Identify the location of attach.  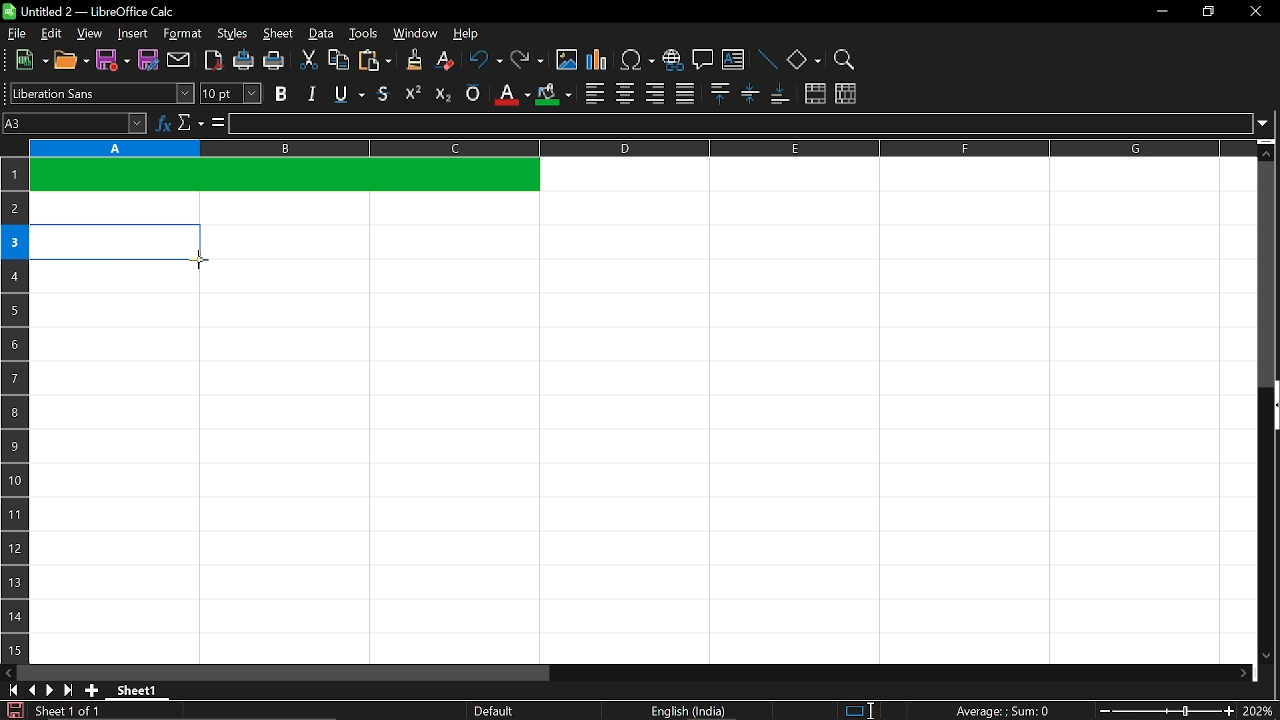
(177, 59).